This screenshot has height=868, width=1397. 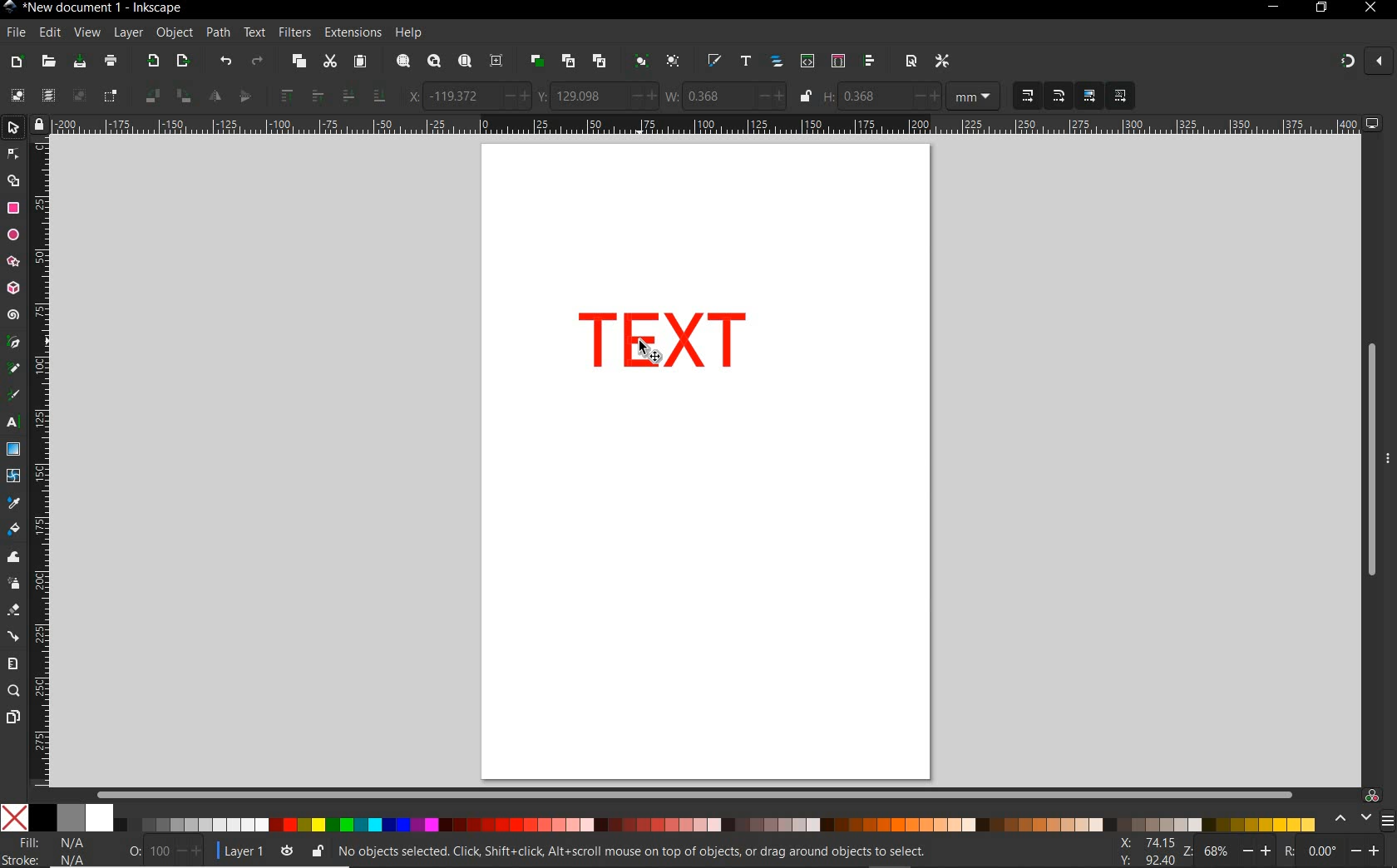 What do you see at coordinates (1044, 96) in the screenshot?
I see `SCALING` at bounding box center [1044, 96].